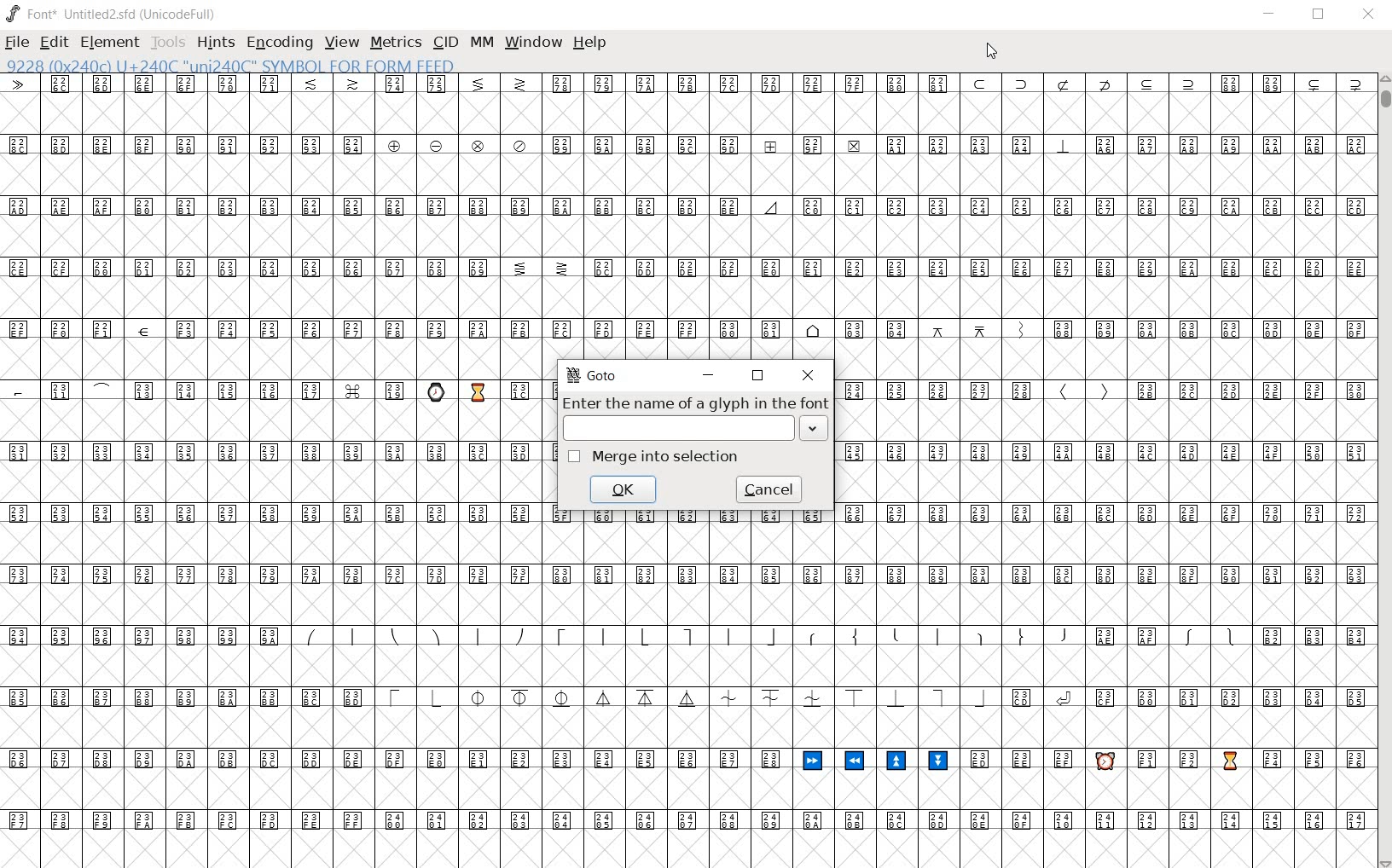  What do you see at coordinates (808, 376) in the screenshot?
I see `close` at bounding box center [808, 376].